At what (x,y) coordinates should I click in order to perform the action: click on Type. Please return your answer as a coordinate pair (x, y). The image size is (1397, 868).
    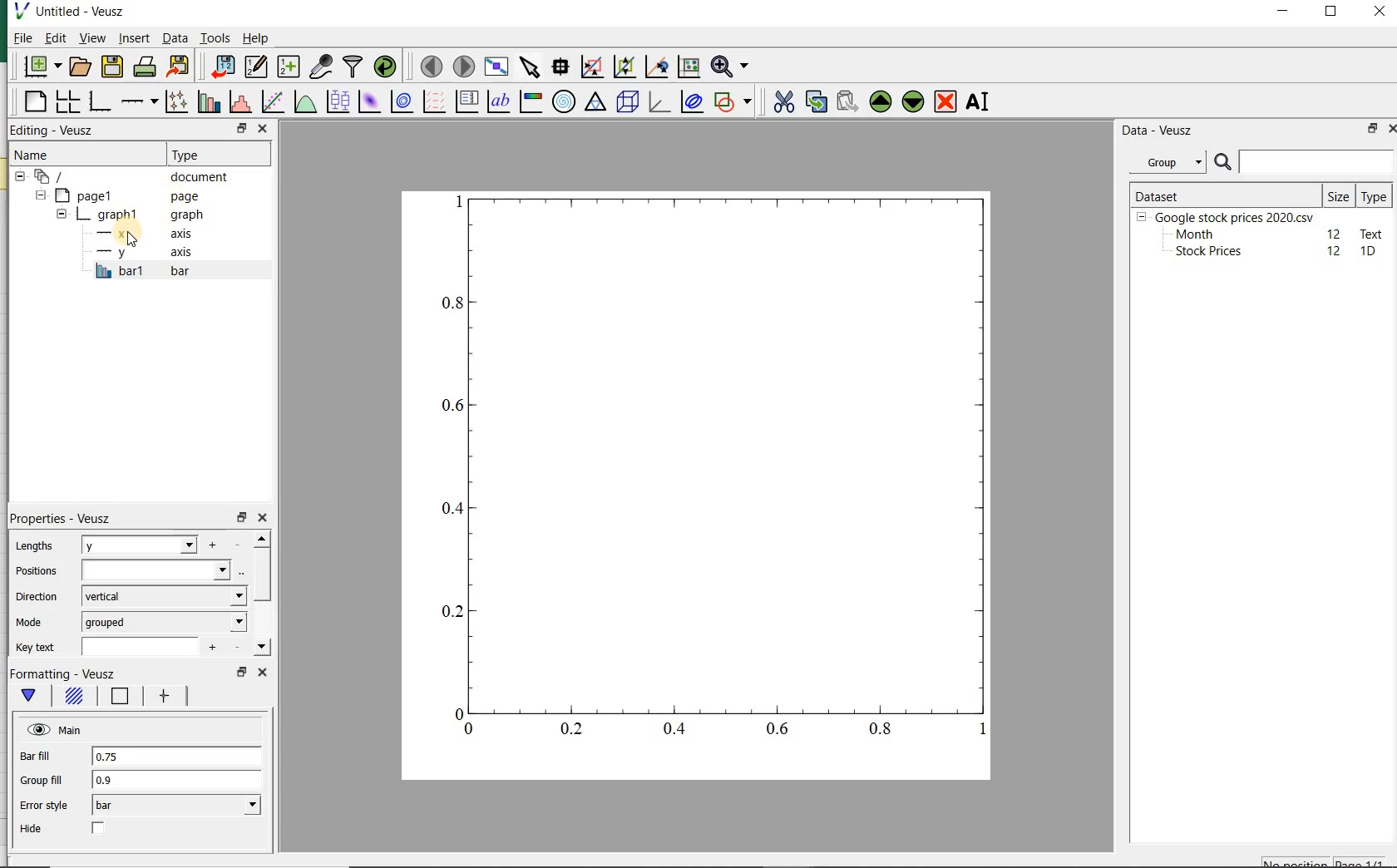
    Looking at the image, I should click on (207, 153).